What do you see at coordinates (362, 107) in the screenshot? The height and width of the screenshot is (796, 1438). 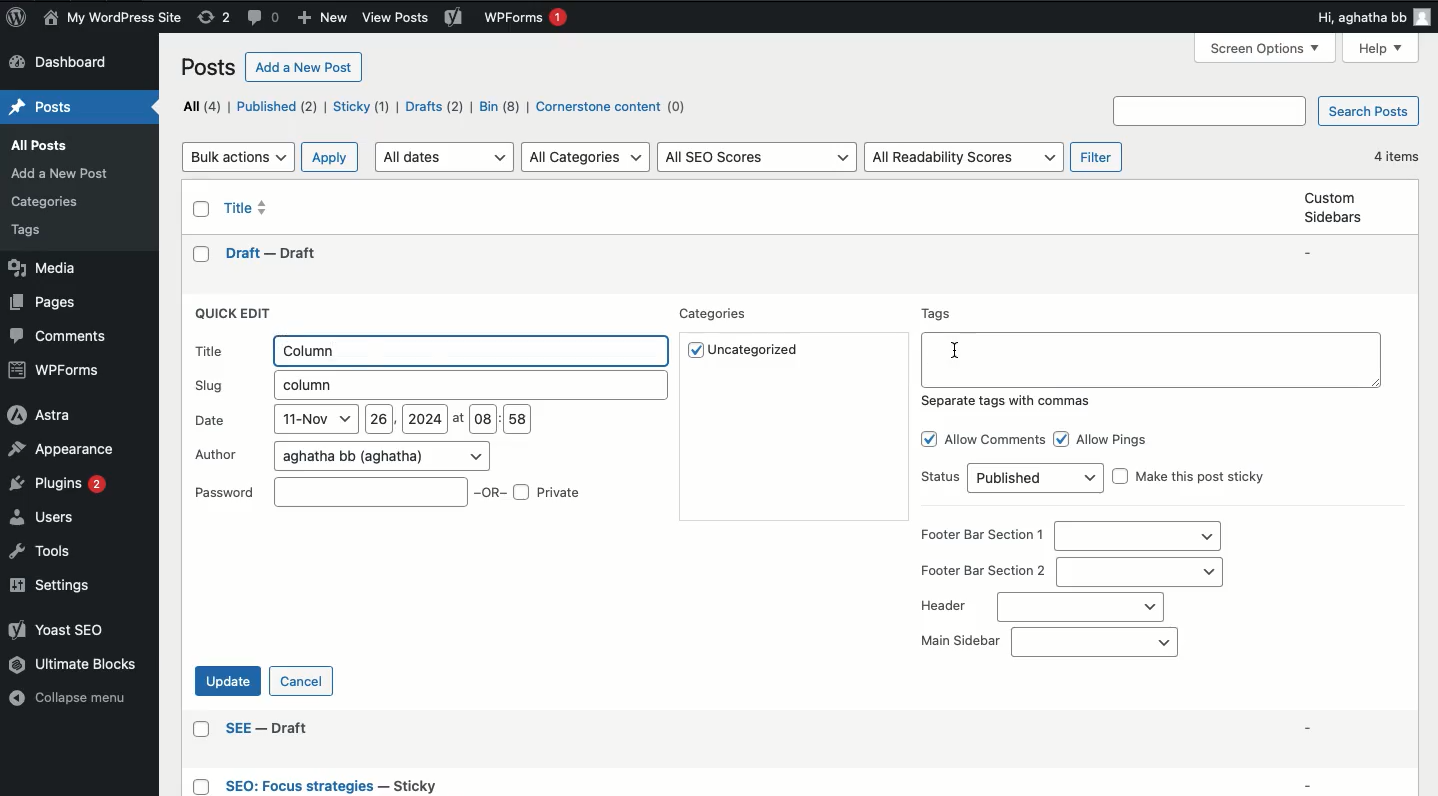 I see `Sticky` at bounding box center [362, 107].